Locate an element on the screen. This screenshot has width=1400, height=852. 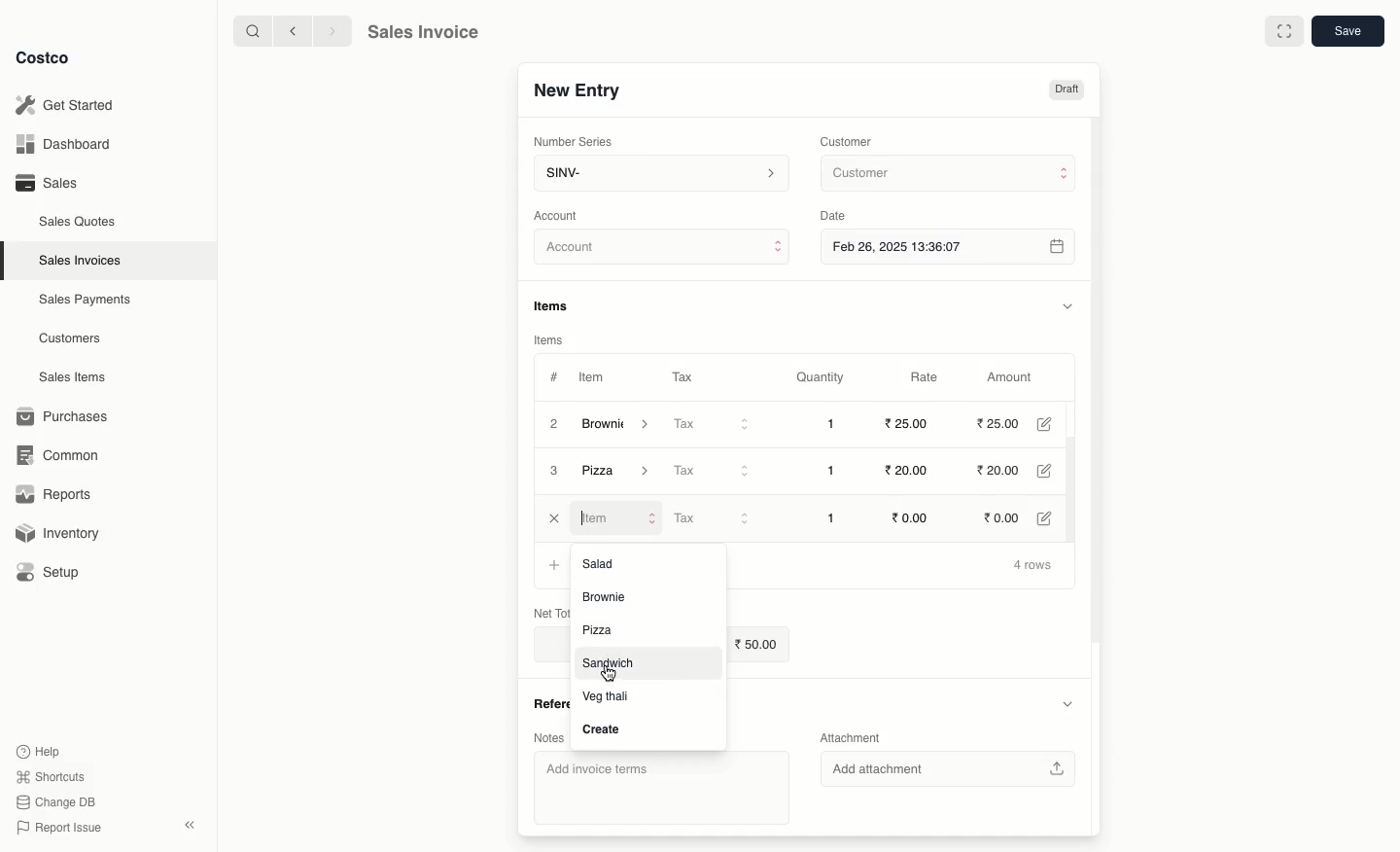
Common is located at coordinates (66, 455).